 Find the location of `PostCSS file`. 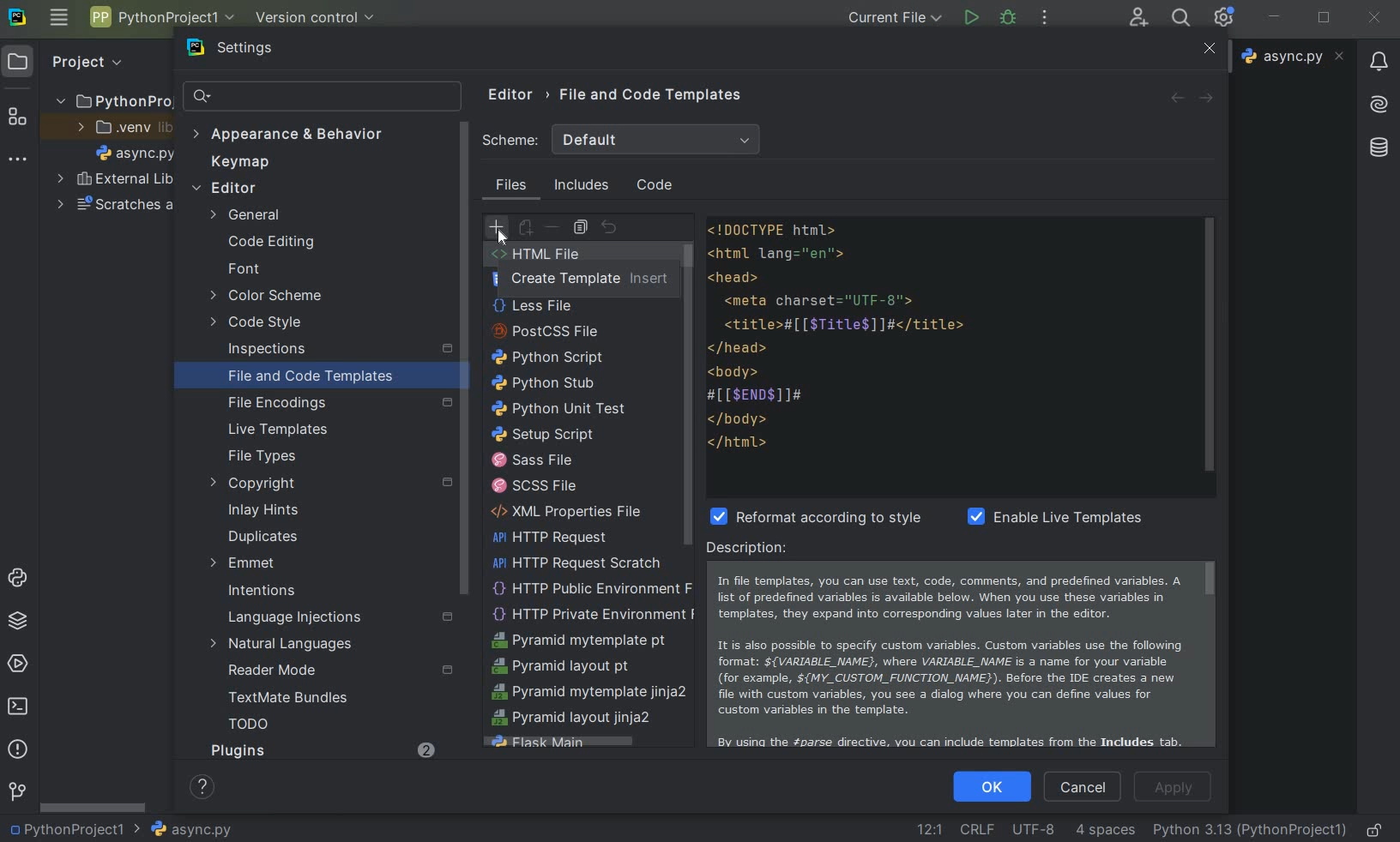

PostCSS file is located at coordinates (546, 332).